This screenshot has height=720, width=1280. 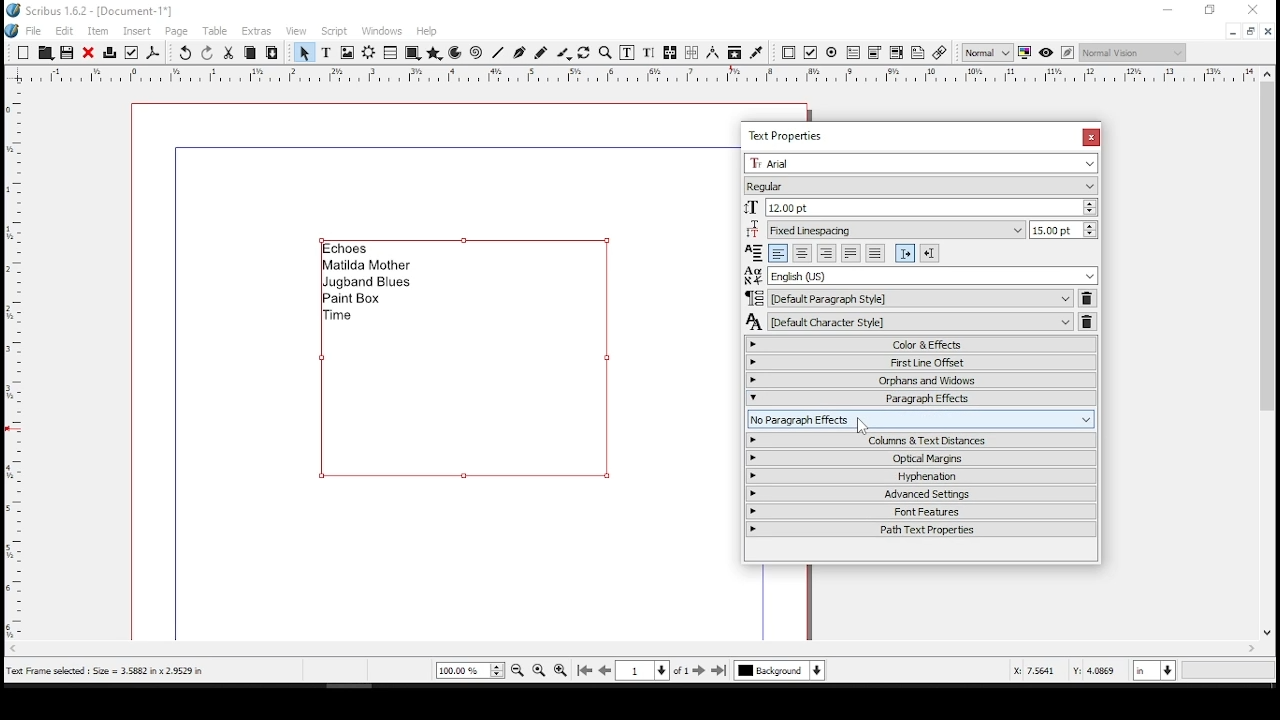 I want to click on character style, so click(x=909, y=322).